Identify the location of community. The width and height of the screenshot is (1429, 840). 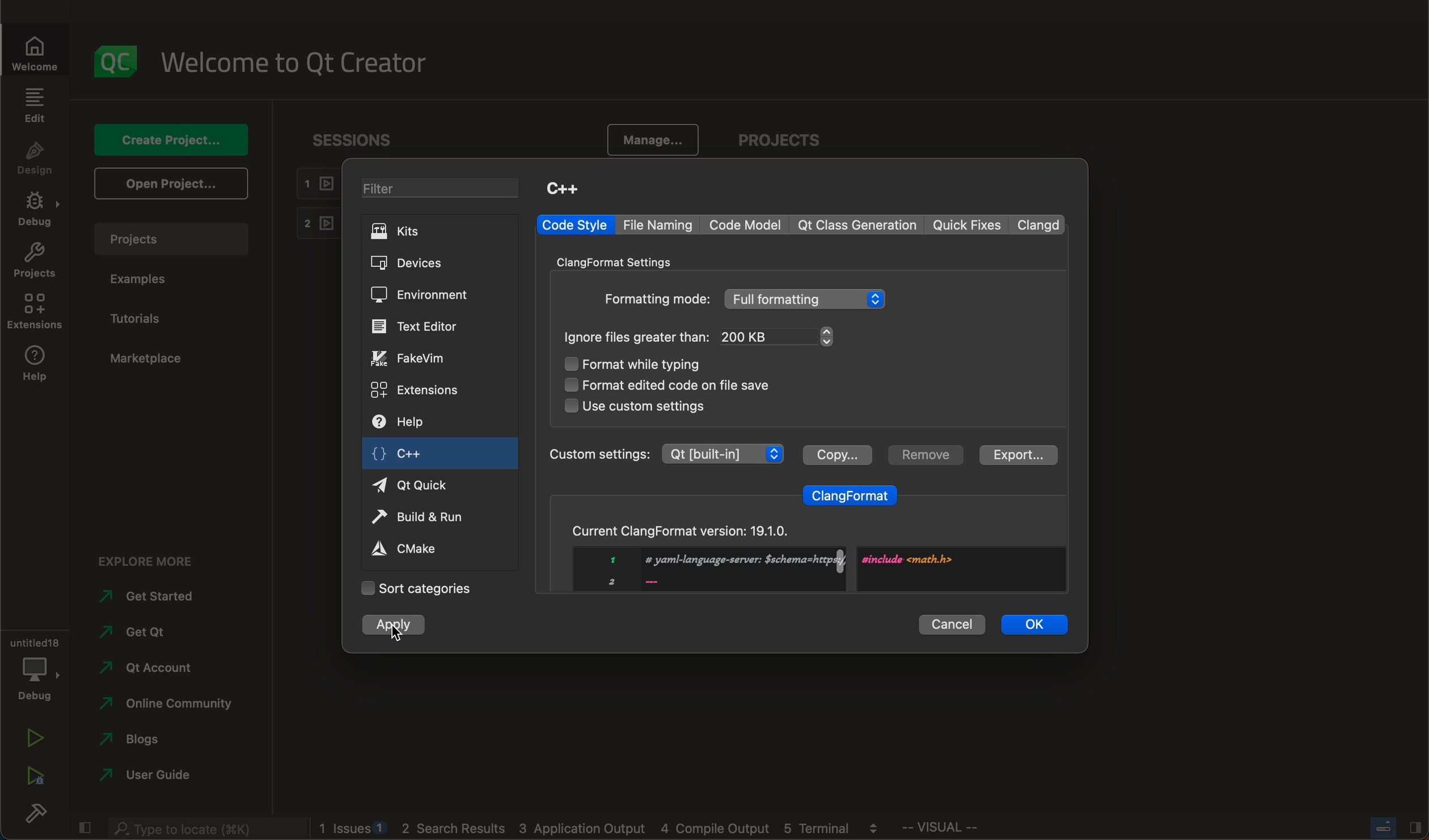
(166, 706).